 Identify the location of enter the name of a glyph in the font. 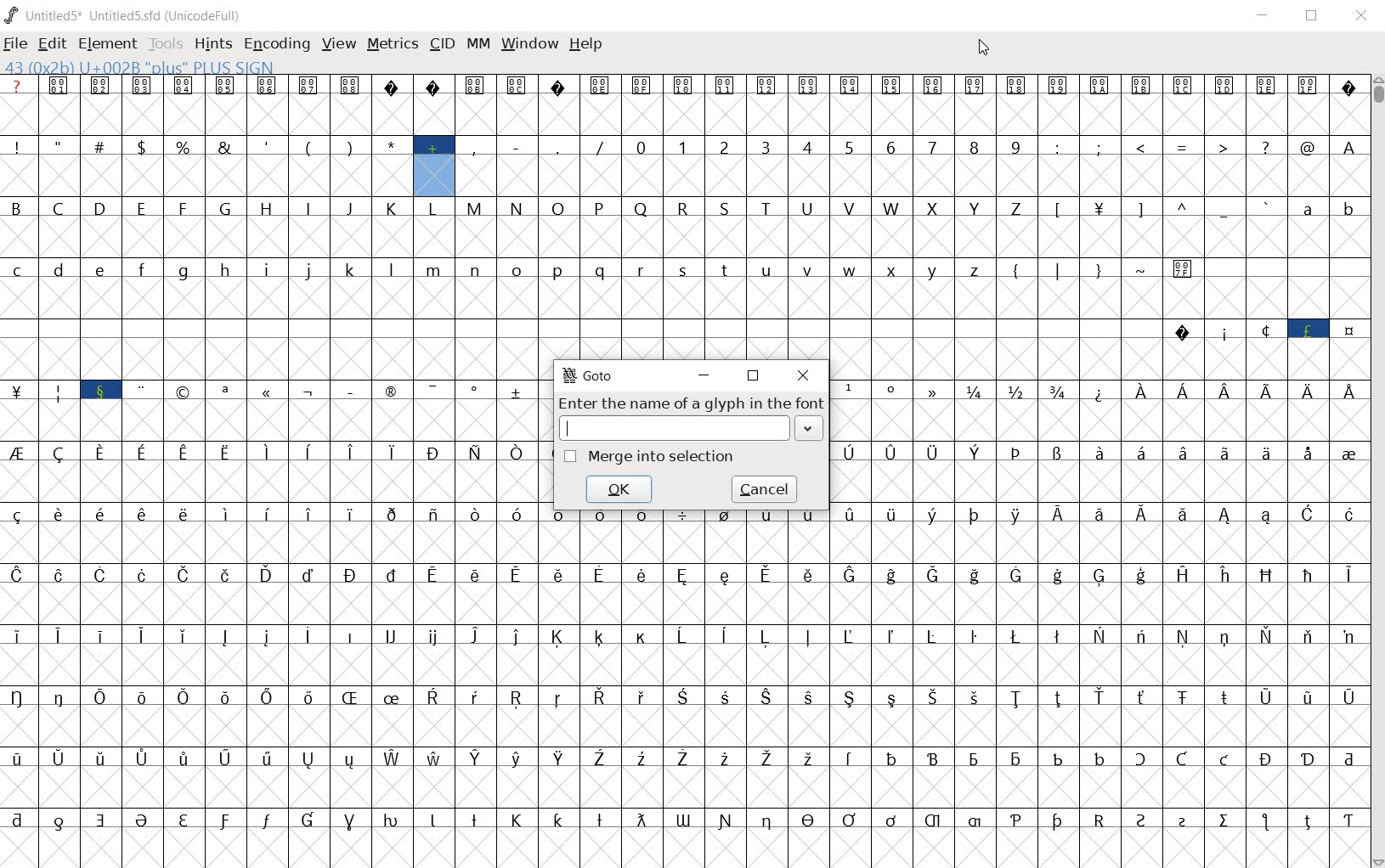
(691, 419).